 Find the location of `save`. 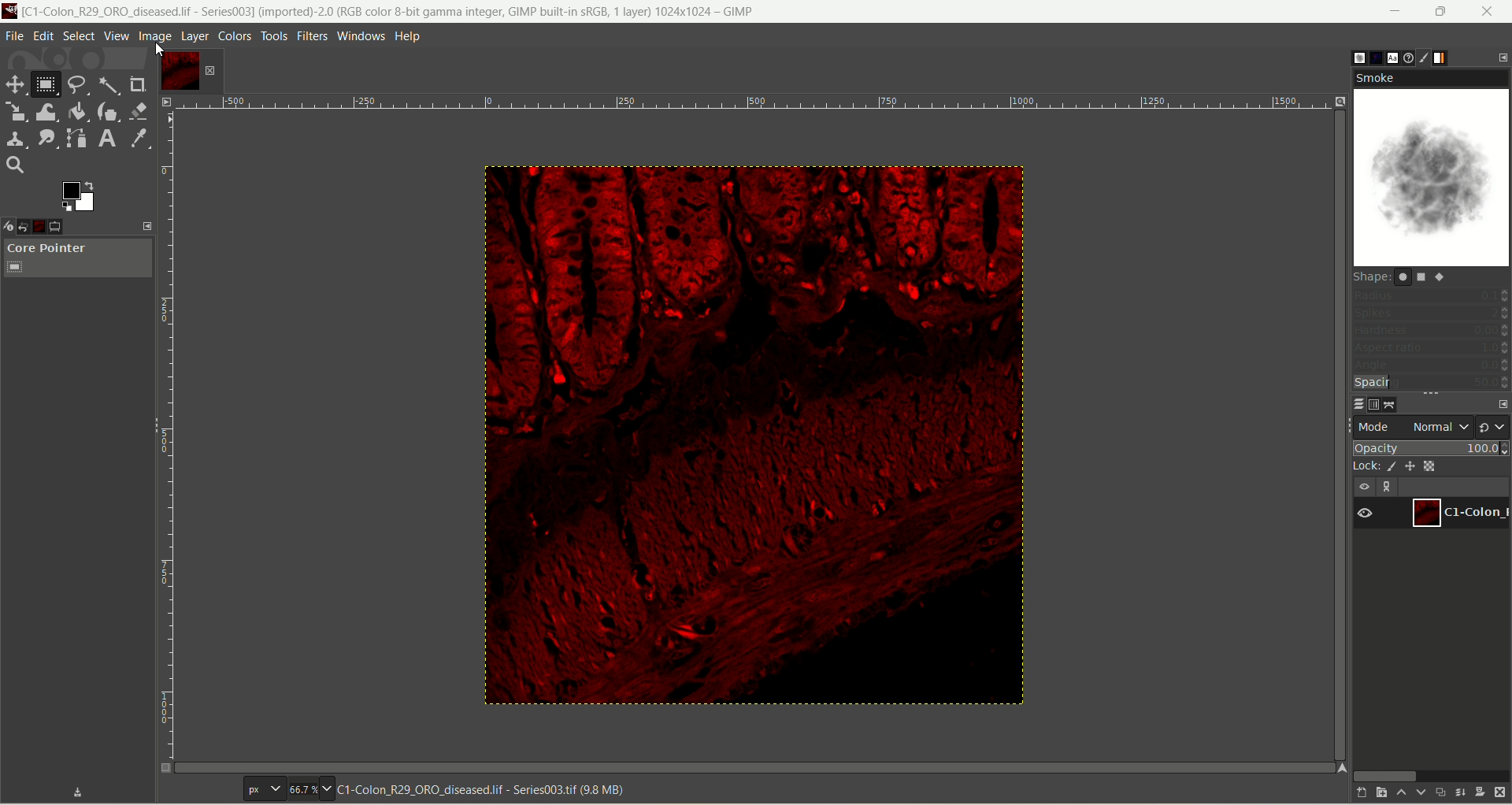

save is located at coordinates (76, 792).